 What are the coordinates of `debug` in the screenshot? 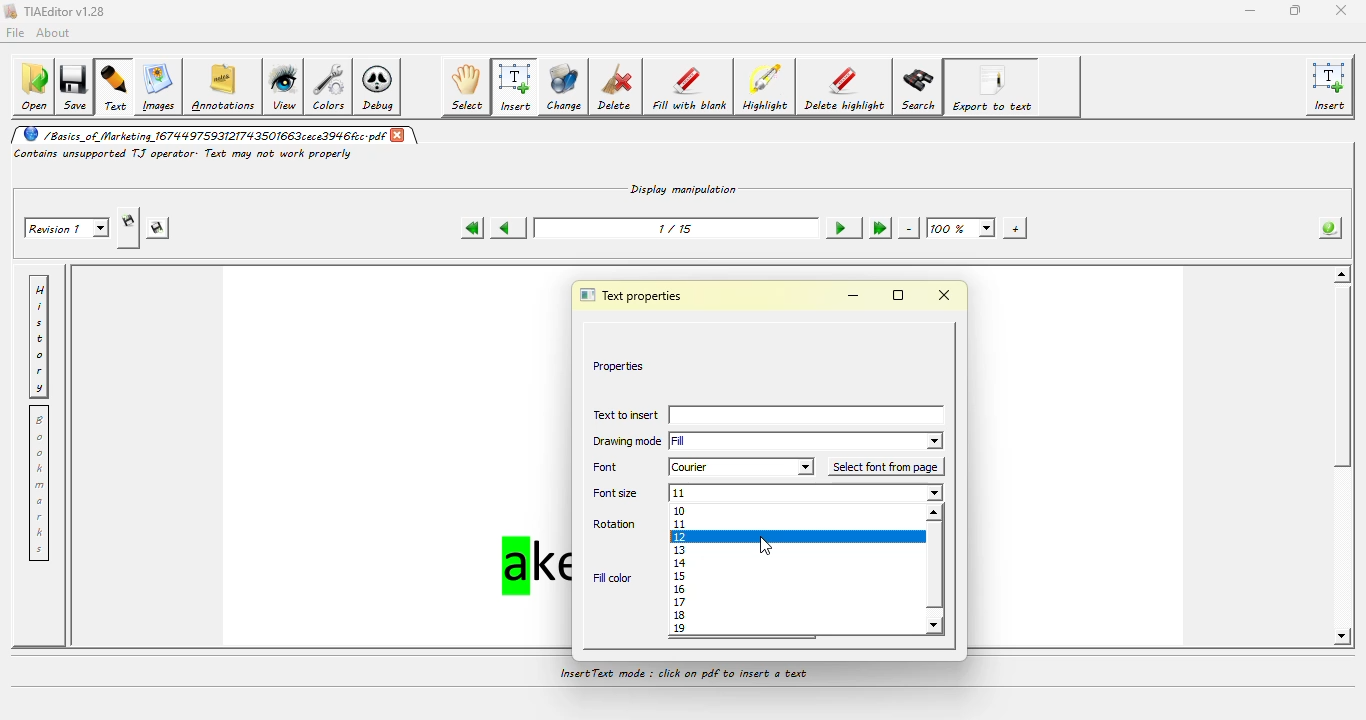 It's located at (381, 89).